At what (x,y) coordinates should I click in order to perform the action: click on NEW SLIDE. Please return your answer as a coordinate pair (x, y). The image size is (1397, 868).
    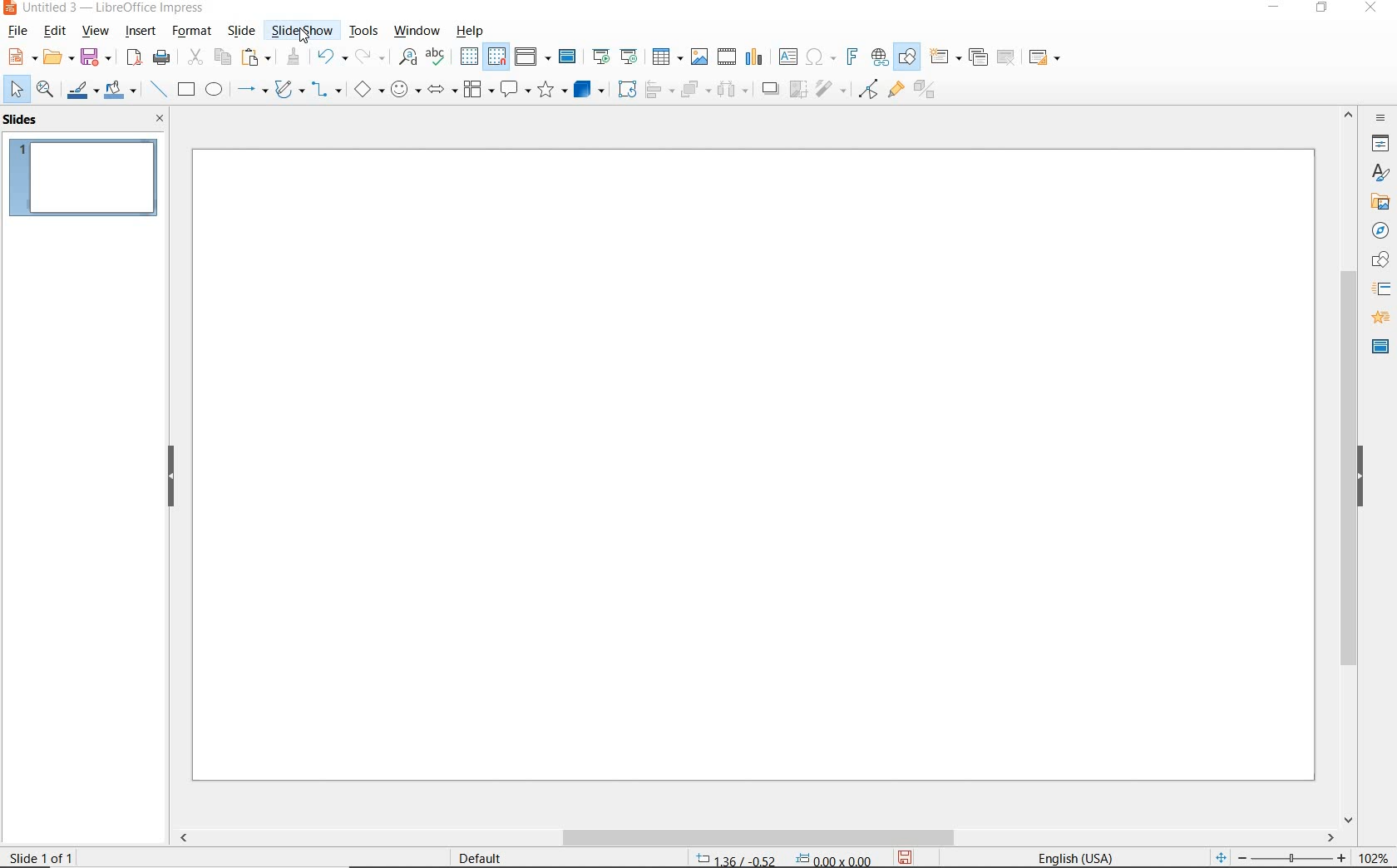
    Looking at the image, I should click on (945, 57).